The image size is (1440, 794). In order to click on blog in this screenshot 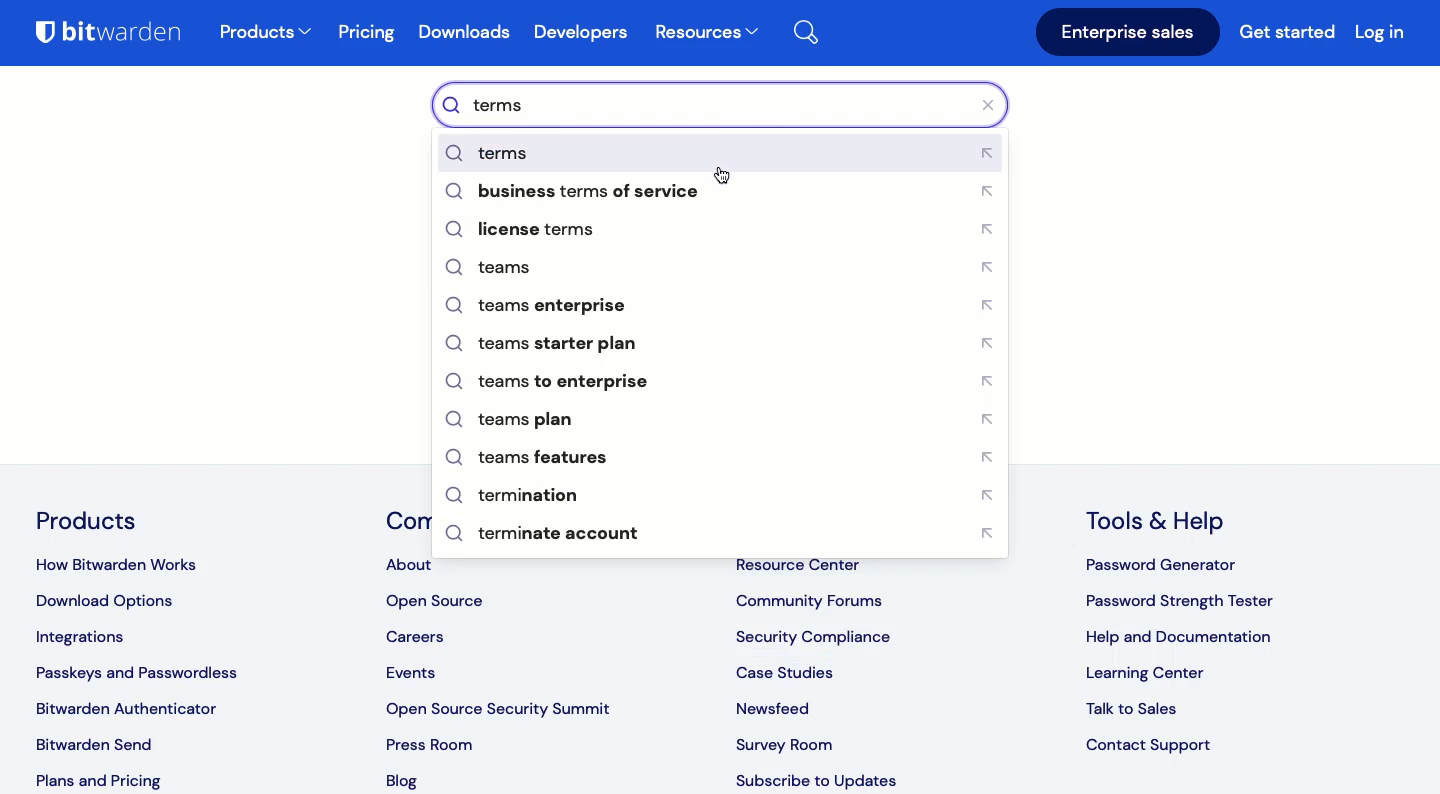, I will do `click(408, 782)`.